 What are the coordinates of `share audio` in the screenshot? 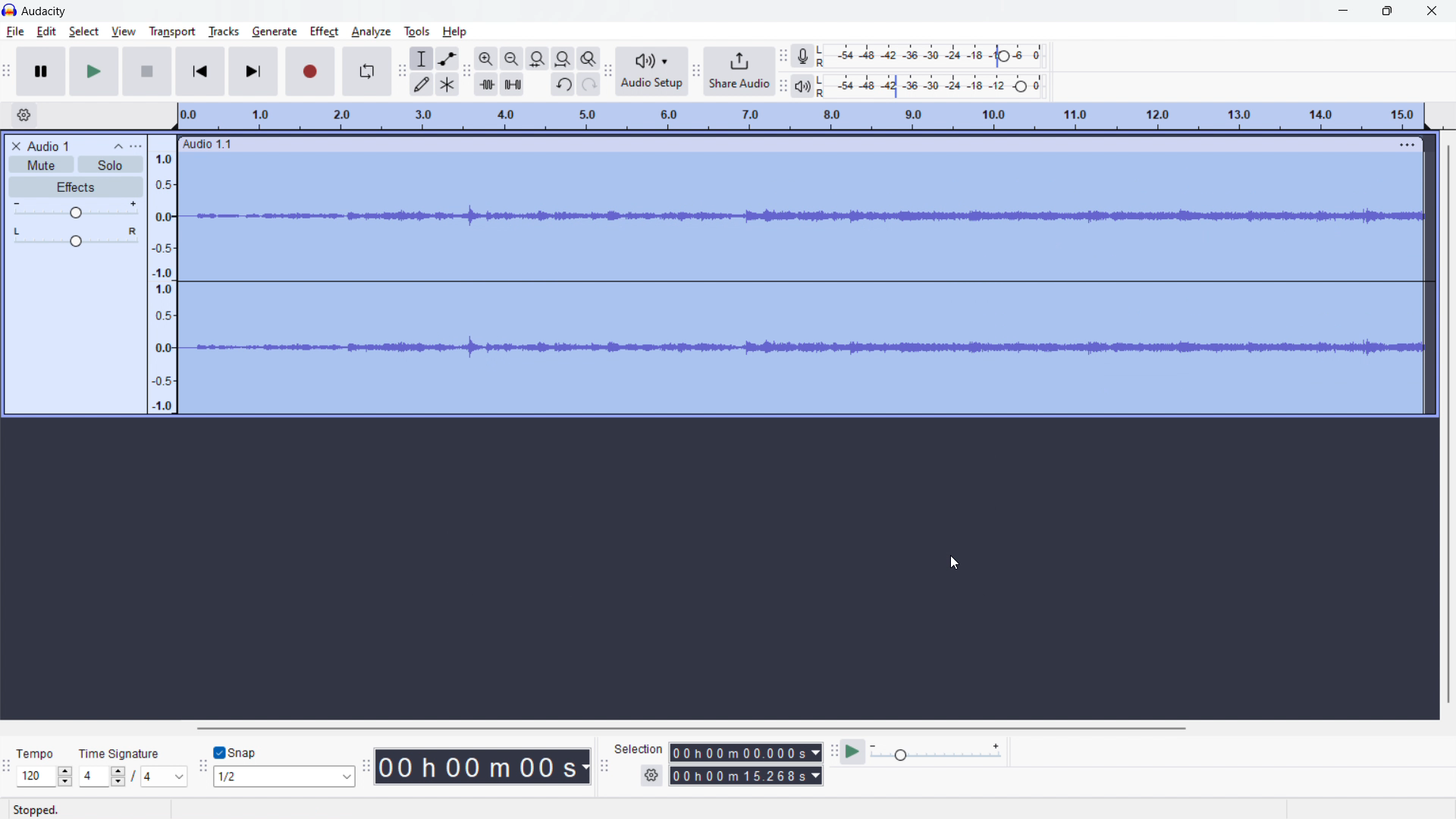 It's located at (739, 70).